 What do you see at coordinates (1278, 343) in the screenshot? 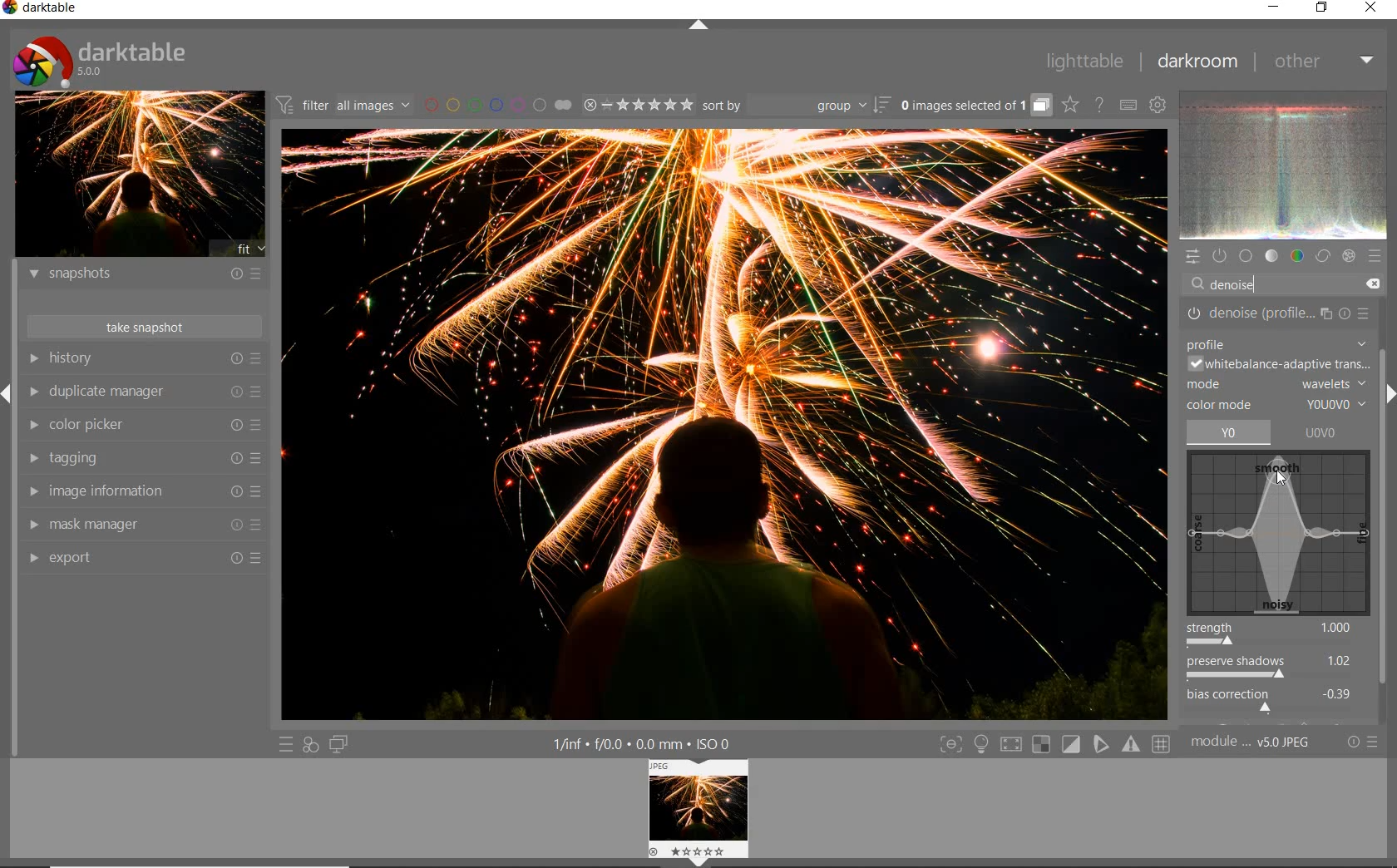
I see `PROFILE` at bounding box center [1278, 343].